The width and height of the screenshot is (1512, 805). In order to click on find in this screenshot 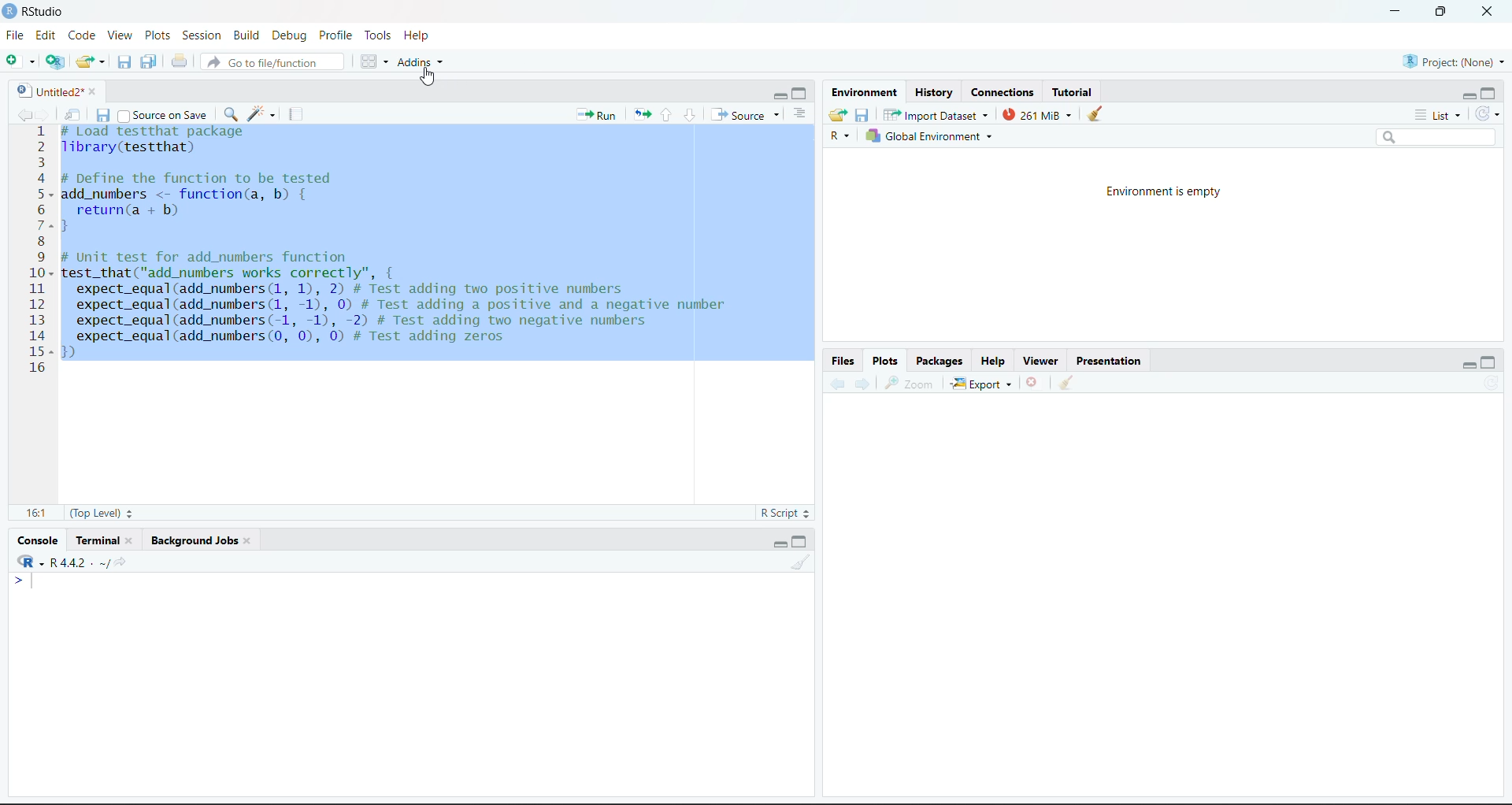, I will do `click(230, 113)`.